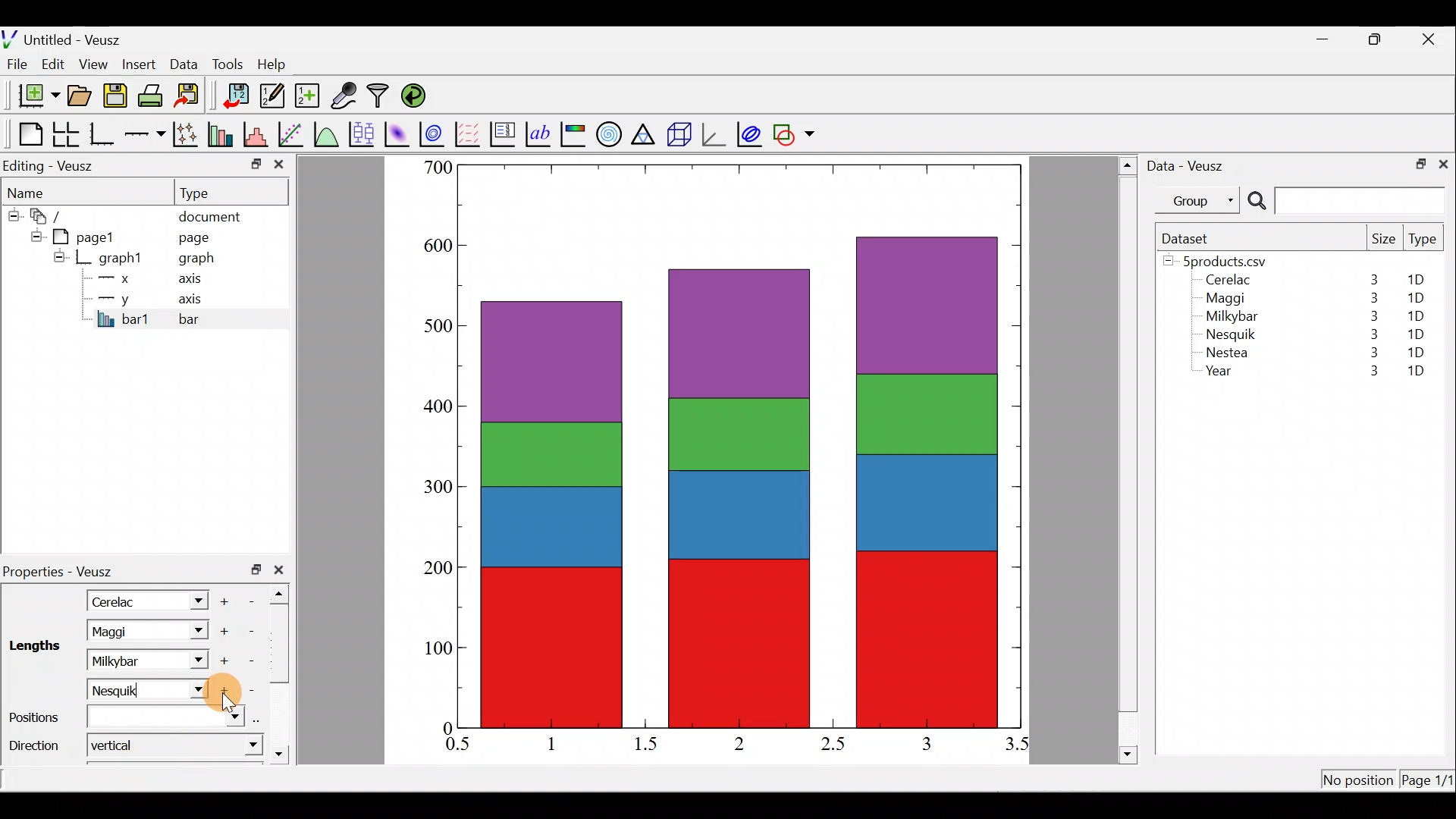  I want to click on close, so click(282, 570).